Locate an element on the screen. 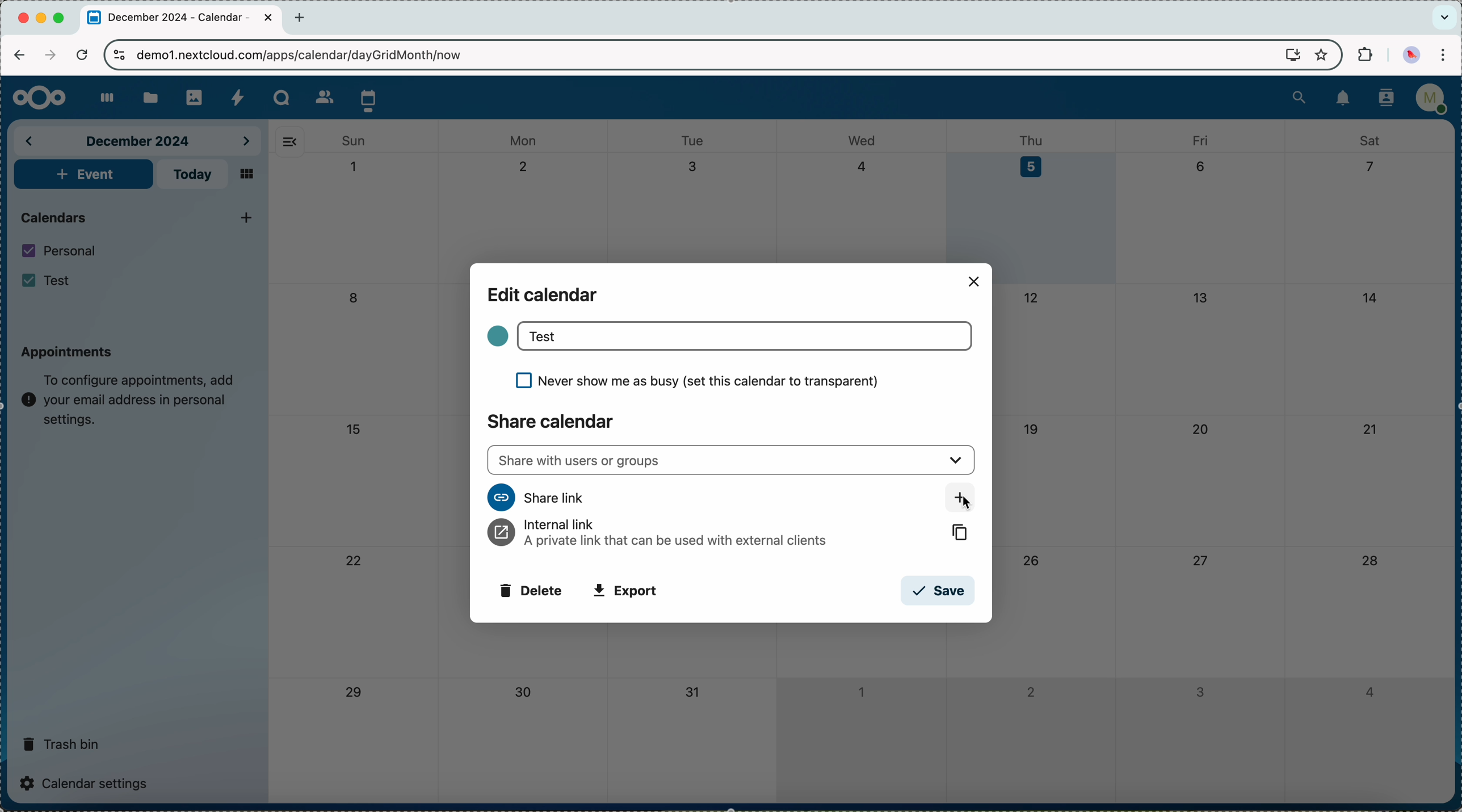  sun is located at coordinates (352, 141).